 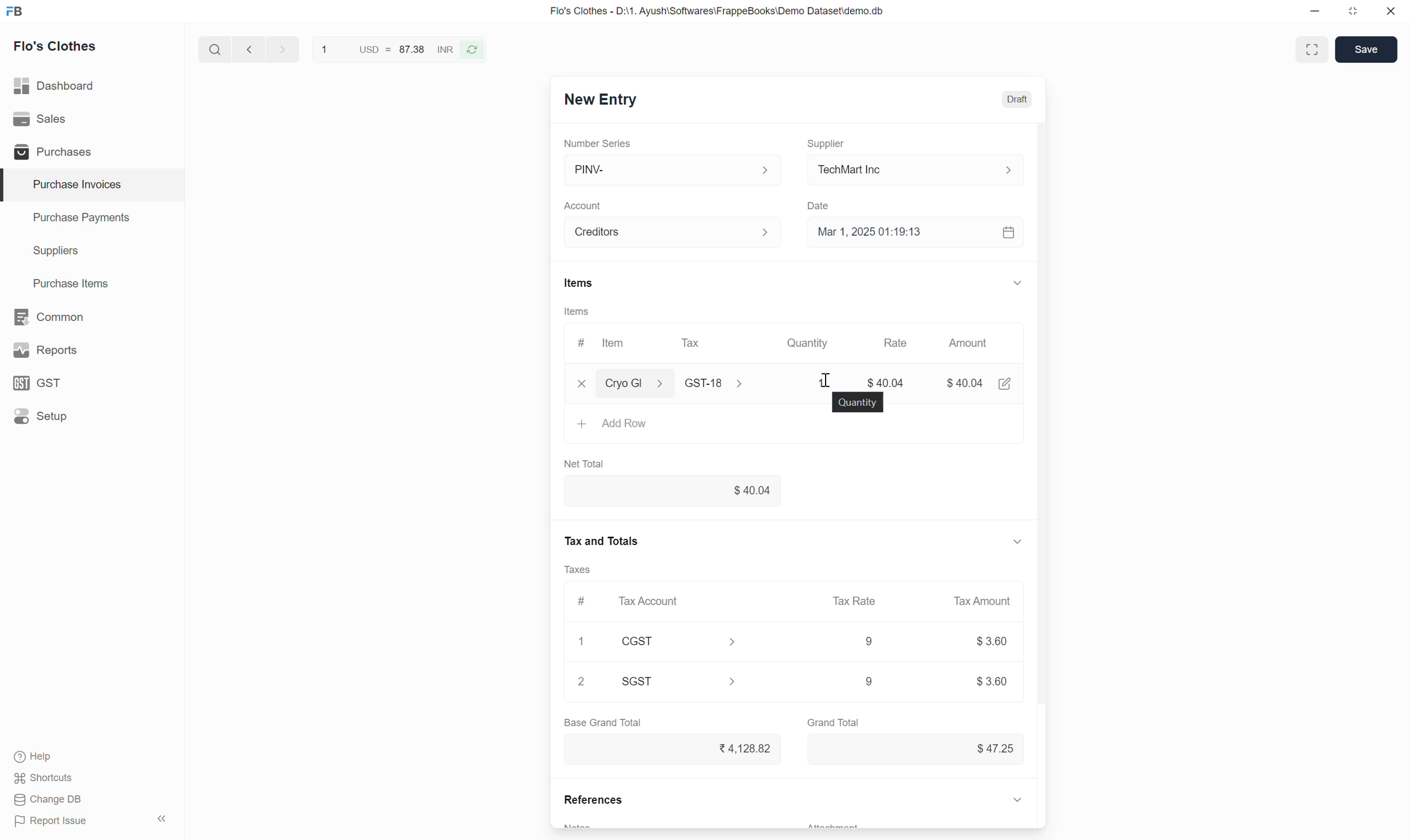 I want to click on edit, so click(x=1006, y=385).